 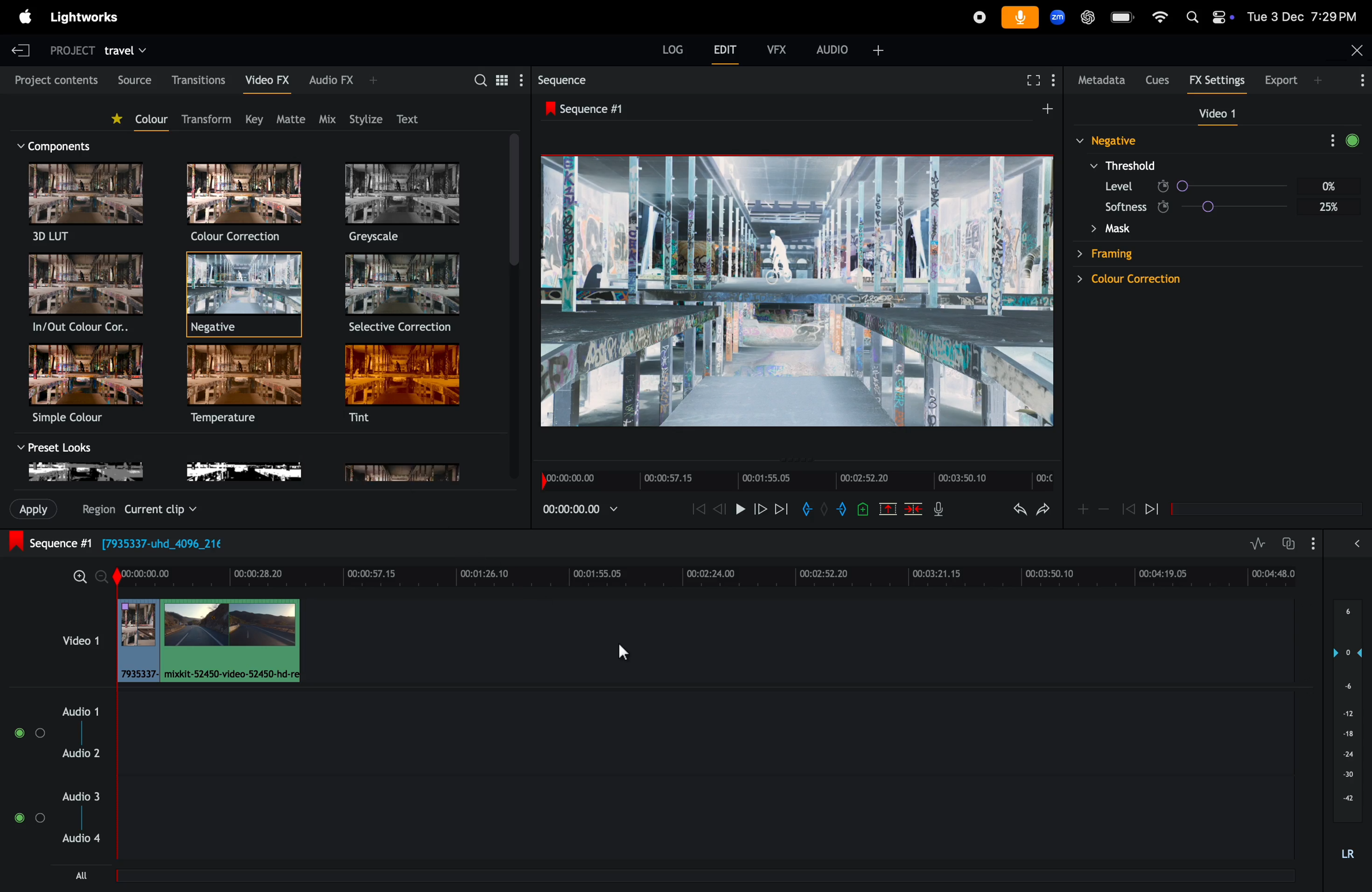 I want to click on Light works menu, so click(x=89, y=17).